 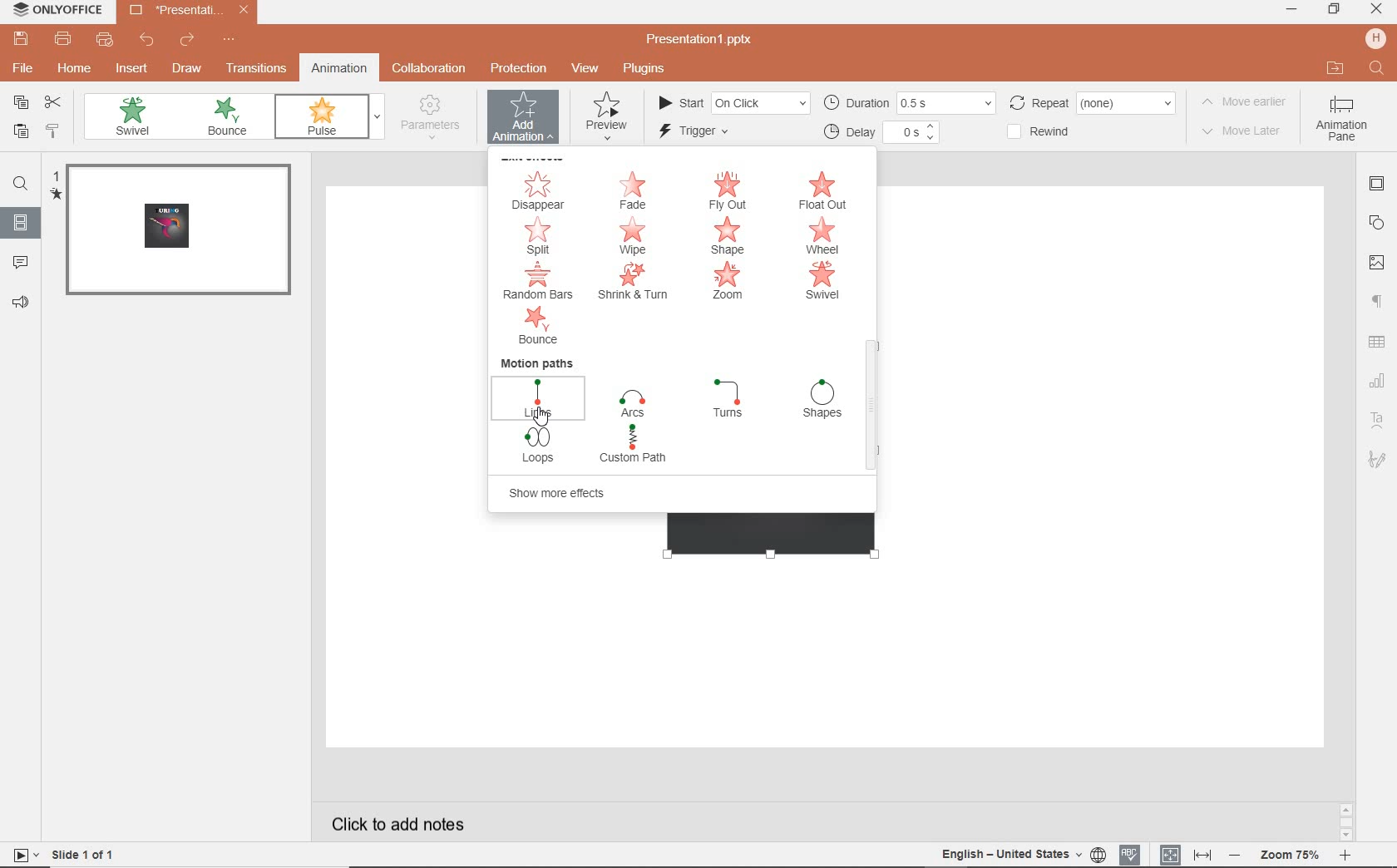 I want to click on wheel, so click(x=827, y=236).